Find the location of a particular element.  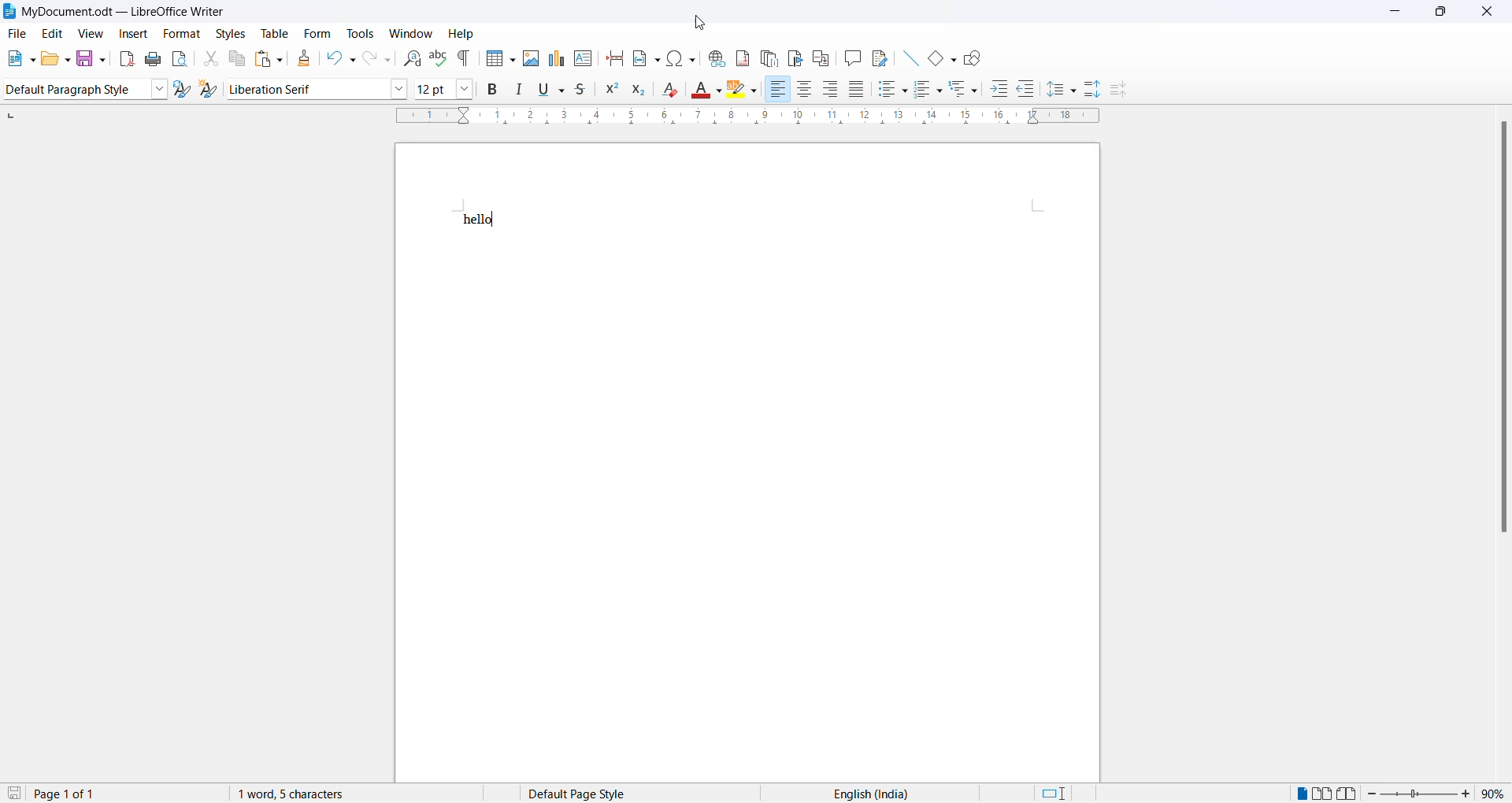

Increase indent is located at coordinates (999, 88).